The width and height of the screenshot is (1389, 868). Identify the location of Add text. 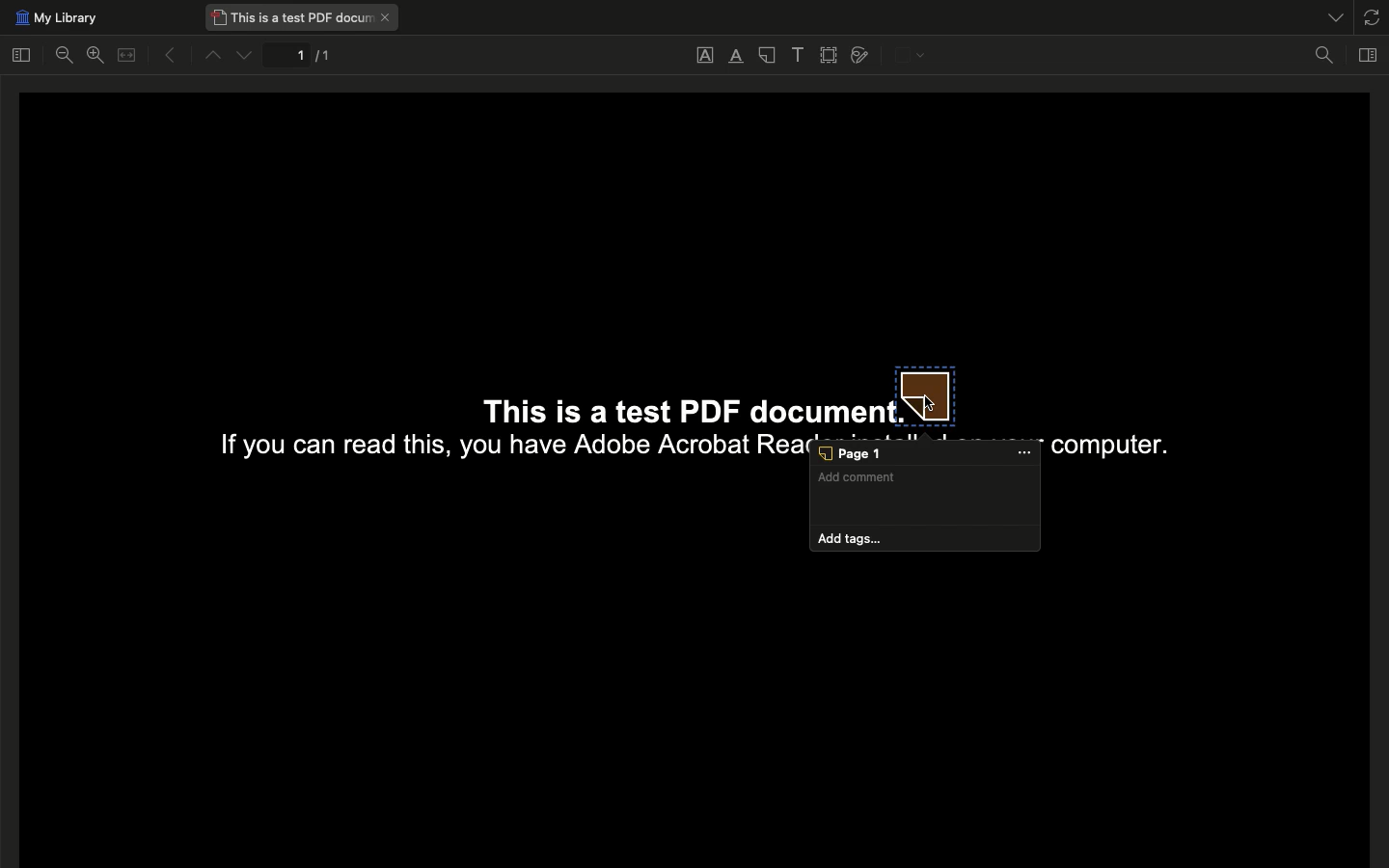
(798, 56).